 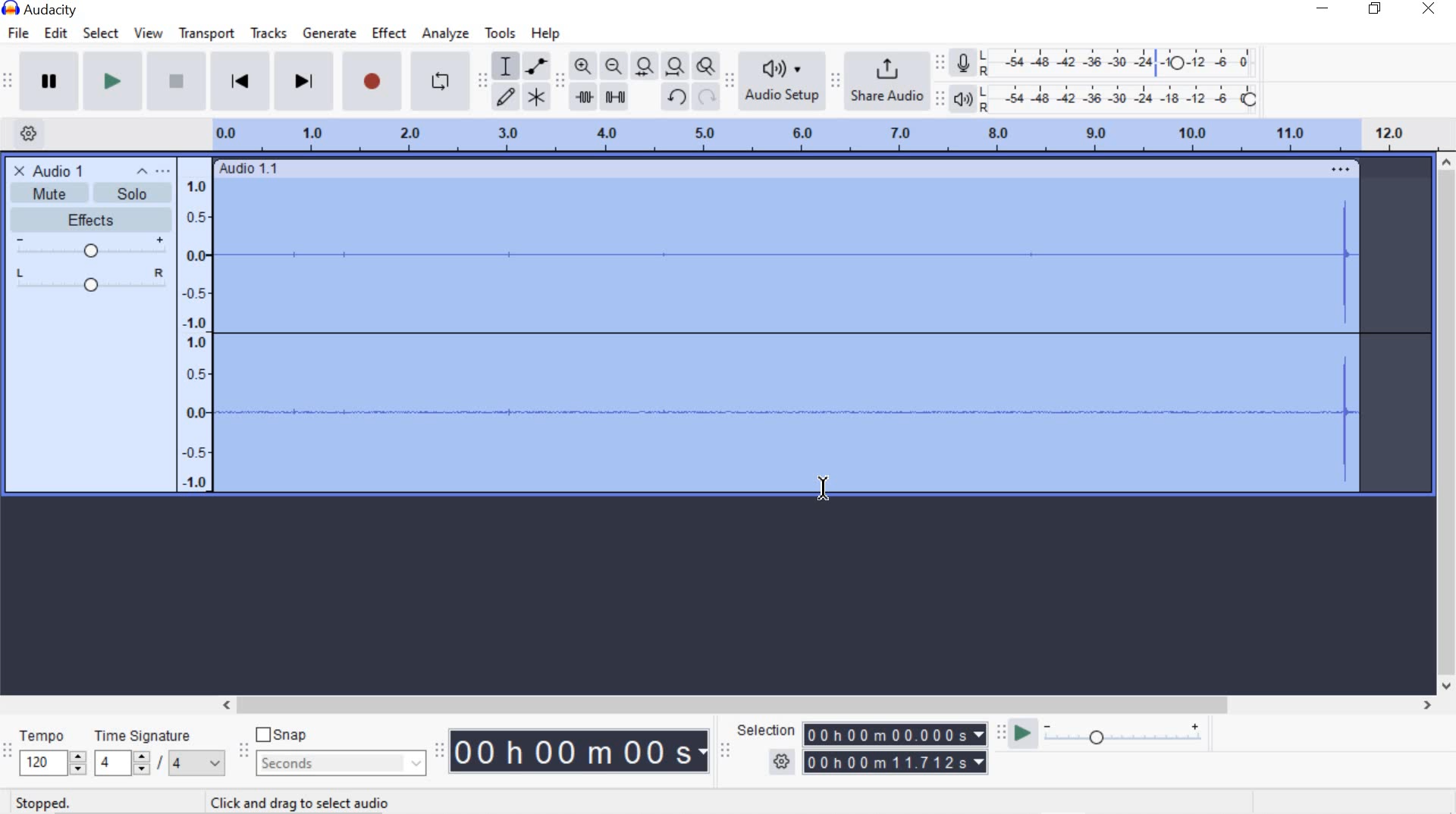 I want to click on Snapping Toolbar, so click(x=246, y=752).